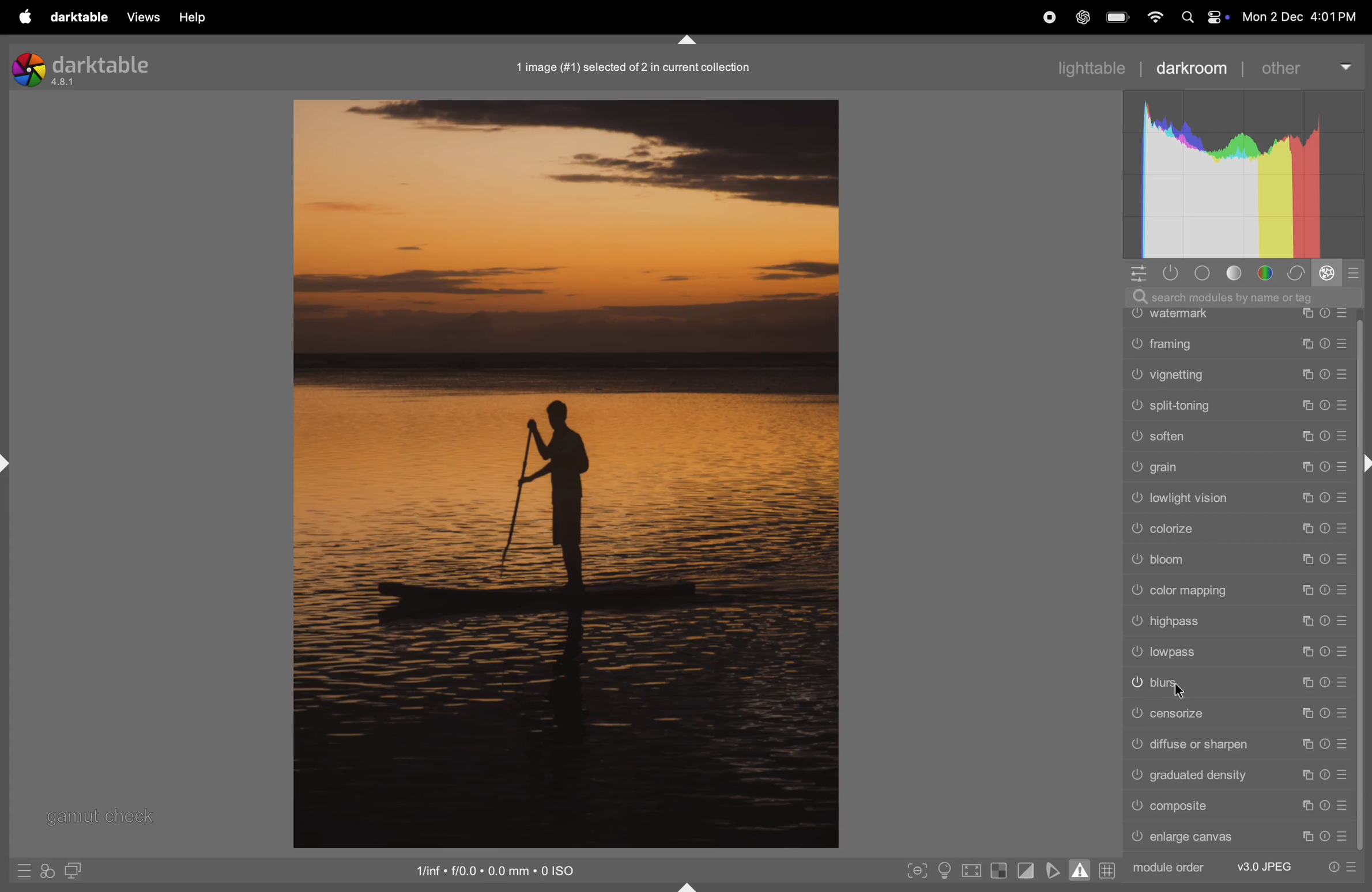  Describe the element at coordinates (1268, 272) in the screenshot. I see `color` at that location.